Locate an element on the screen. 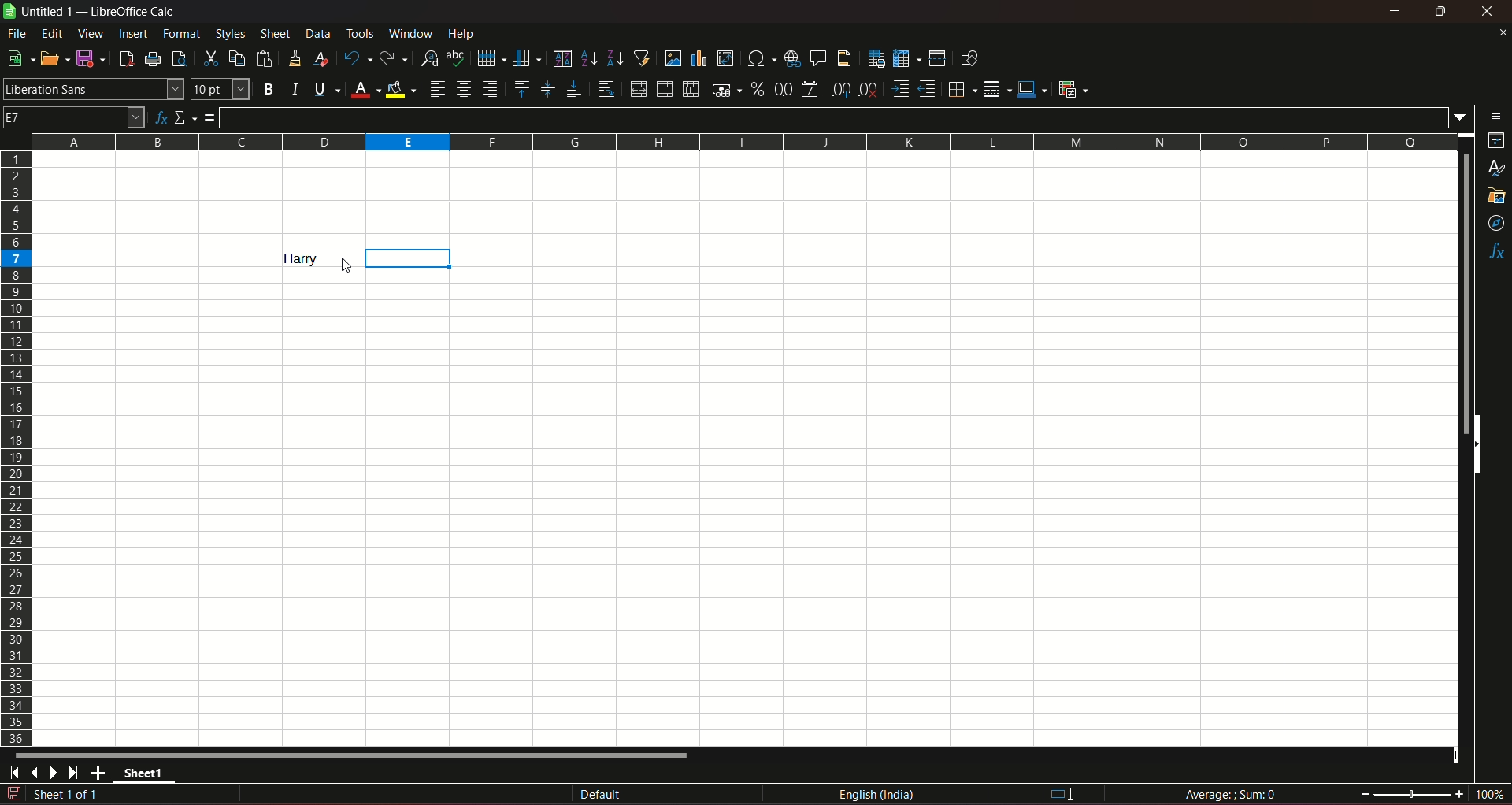  formula is located at coordinates (210, 117).